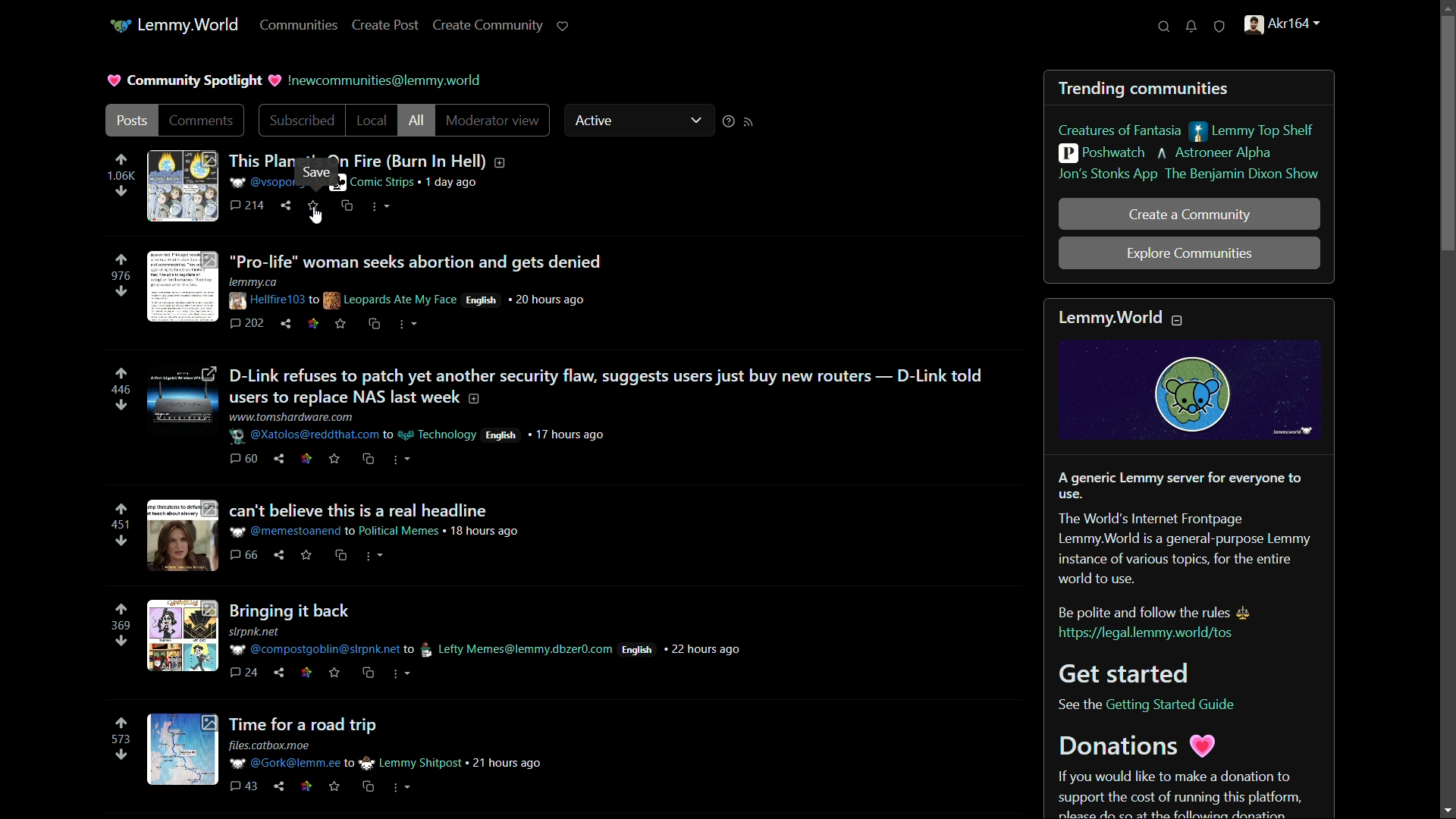  Describe the element at coordinates (121, 160) in the screenshot. I see `upvote` at that location.